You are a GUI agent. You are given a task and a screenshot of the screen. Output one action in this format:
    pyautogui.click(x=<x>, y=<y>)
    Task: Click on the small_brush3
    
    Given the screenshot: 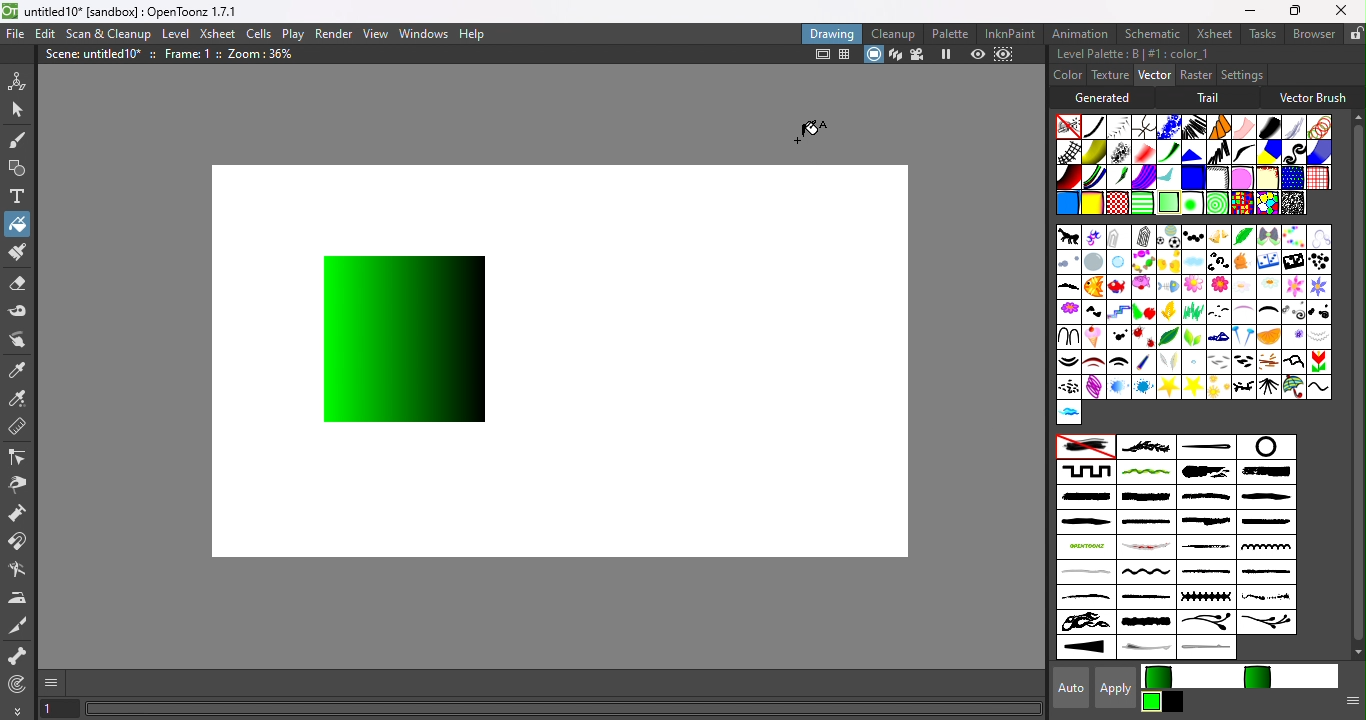 What is the action you would take?
    pyautogui.click(x=1086, y=598)
    